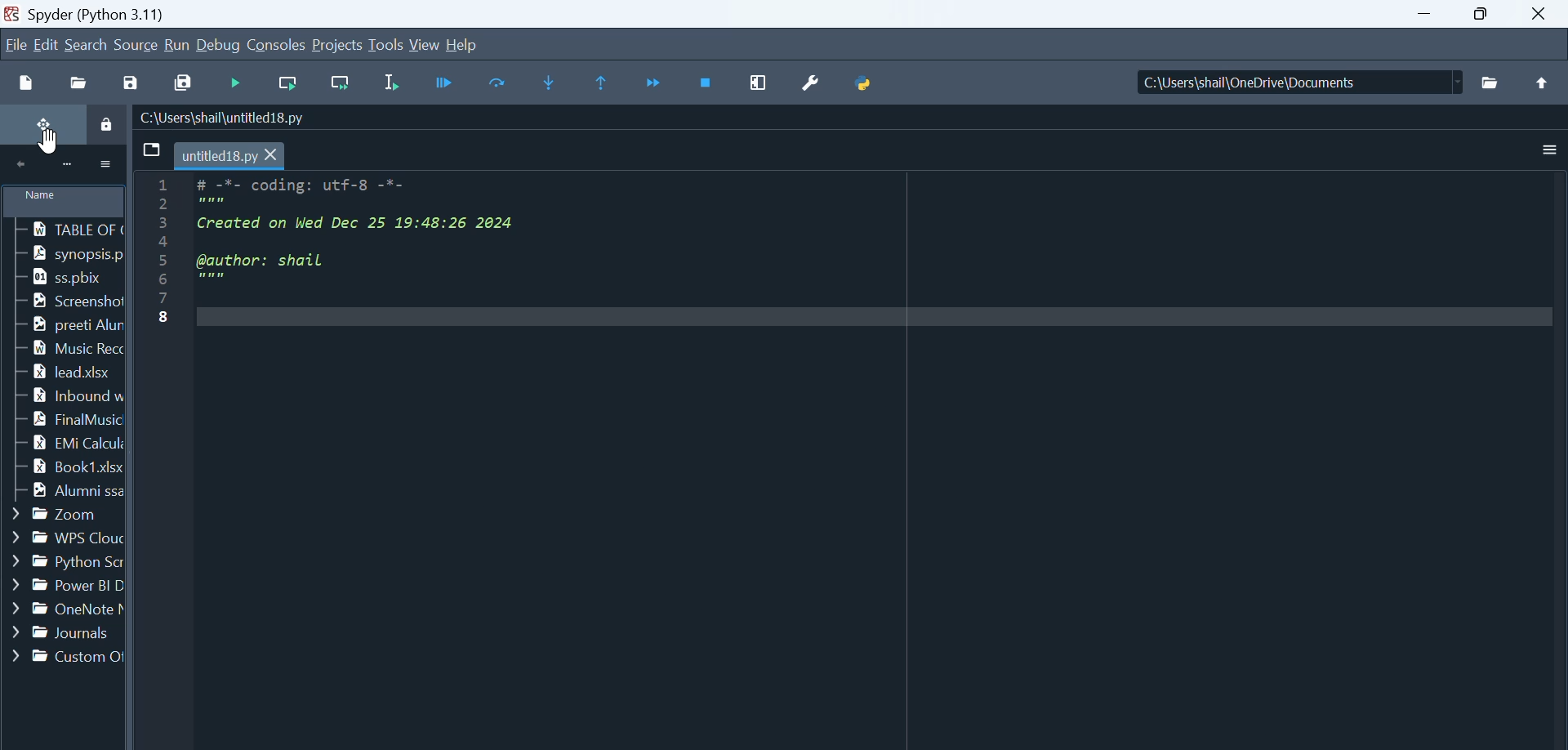  I want to click on Run current line, so click(501, 82).